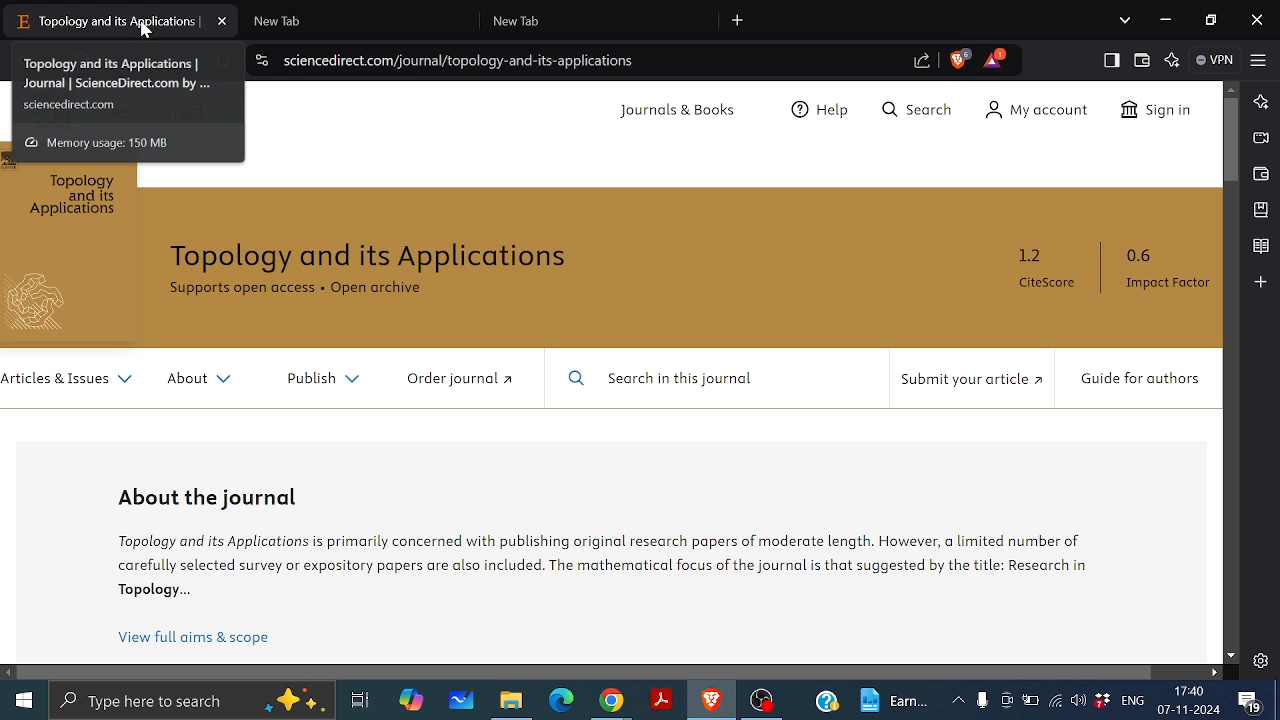 This screenshot has height=720, width=1280. What do you see at coordinates (1162, 269) in the screenshot?
I see `0.6 Impact Factor` at bounding box center [1162, 269].